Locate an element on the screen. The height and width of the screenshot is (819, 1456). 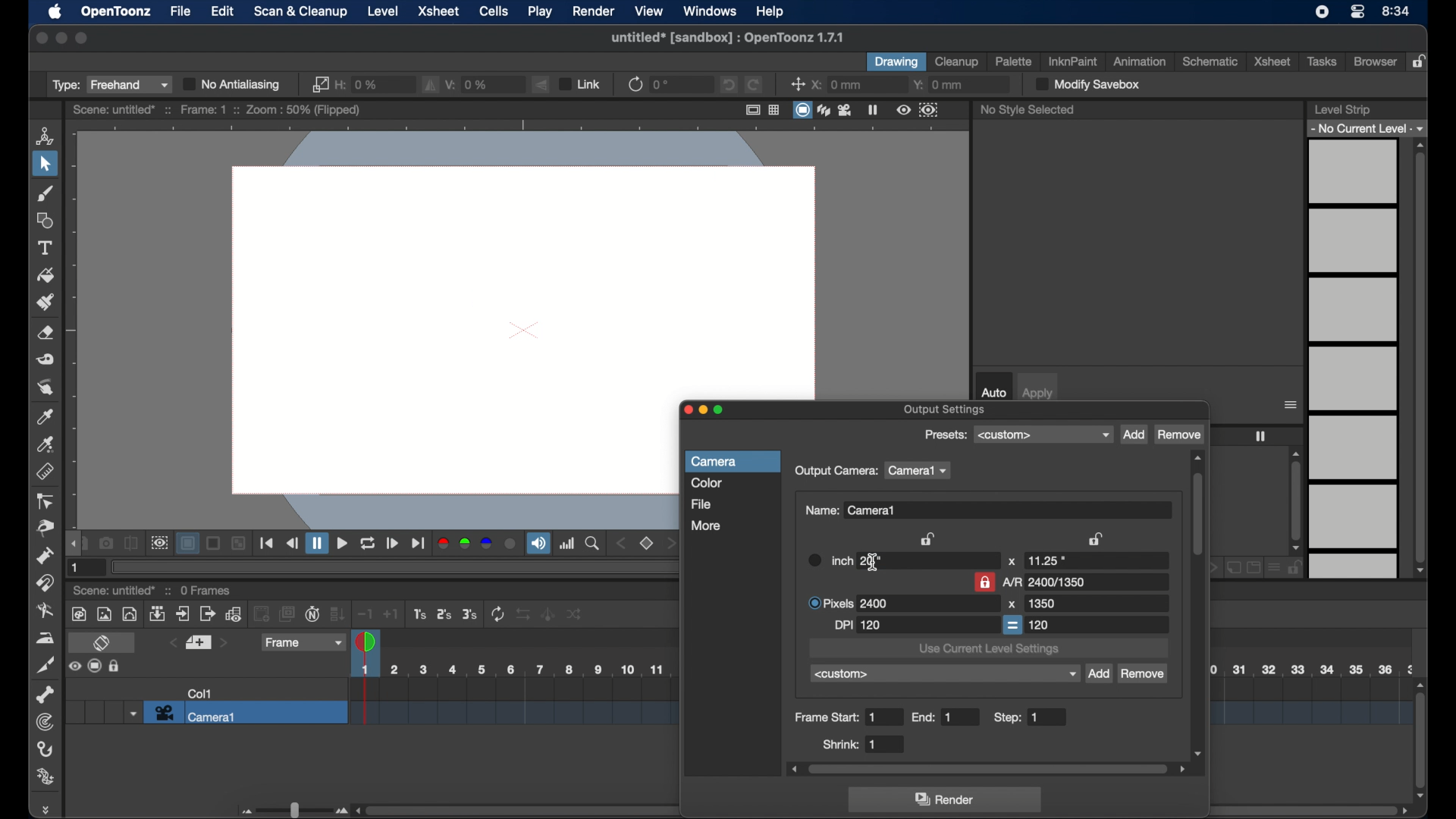
levels is located at coordinates (1354, 359).